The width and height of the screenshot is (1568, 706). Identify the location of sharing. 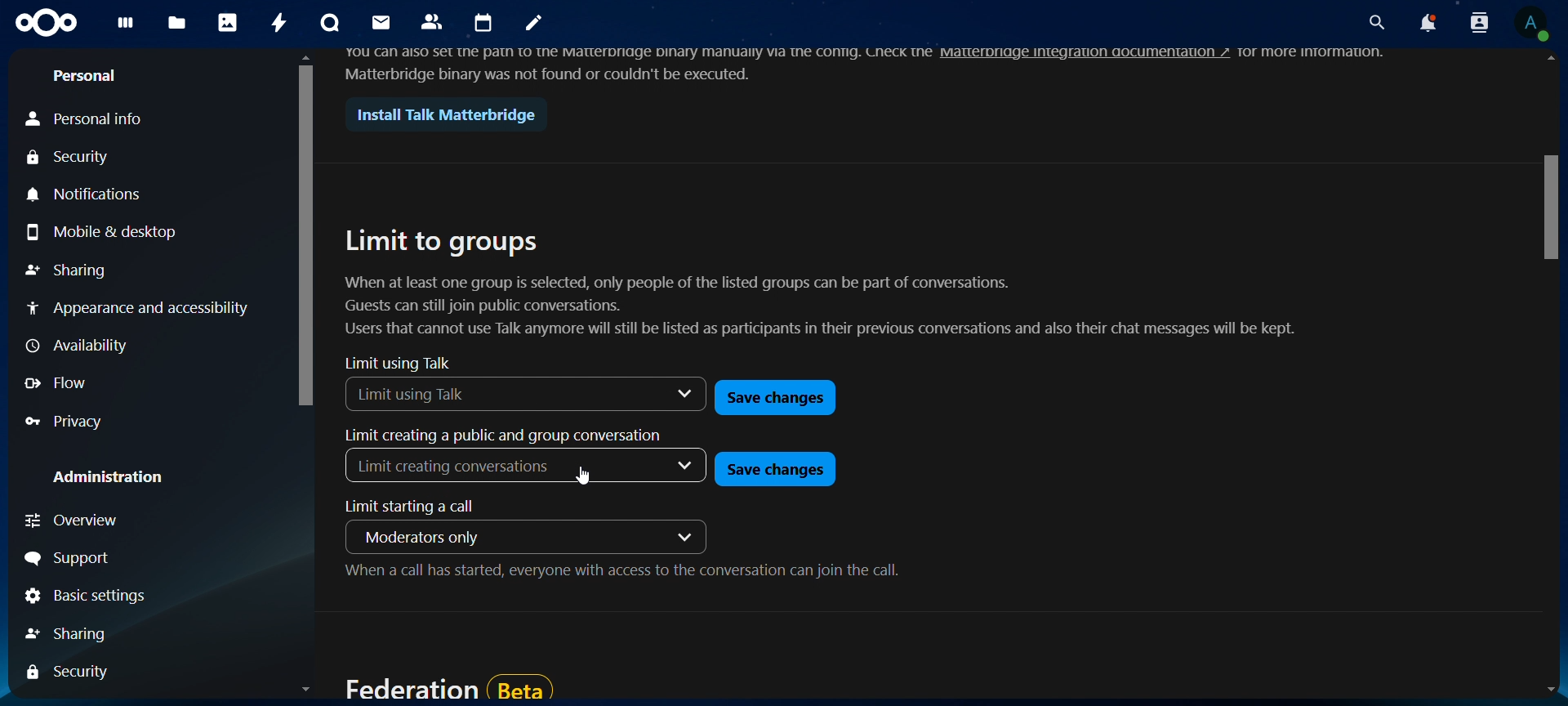
(73, 634).